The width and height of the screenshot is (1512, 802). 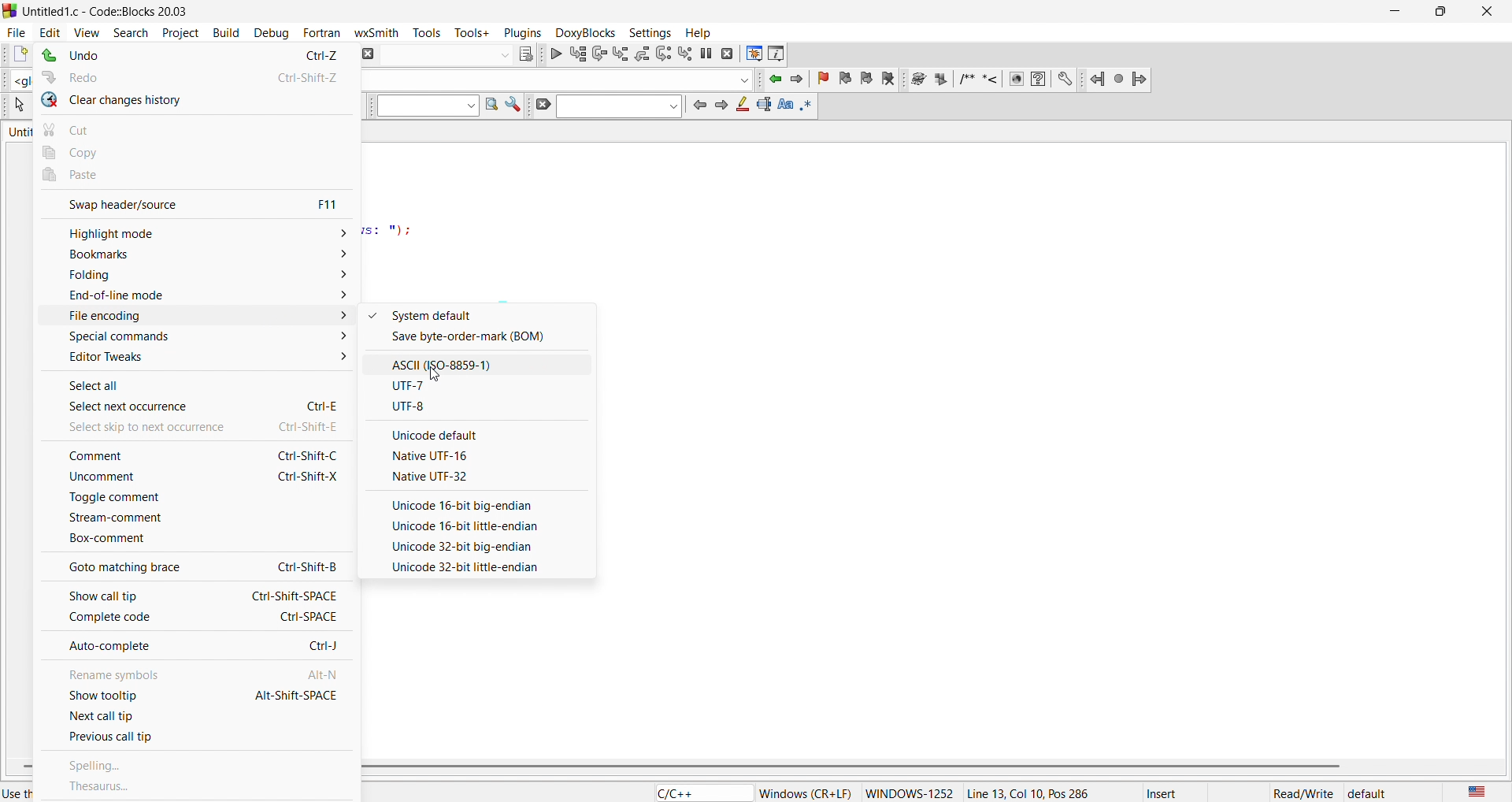 What do you see at coordinates (527, 54) in the screenshot?
I see `show selected target` at bounding box center [527, 54].